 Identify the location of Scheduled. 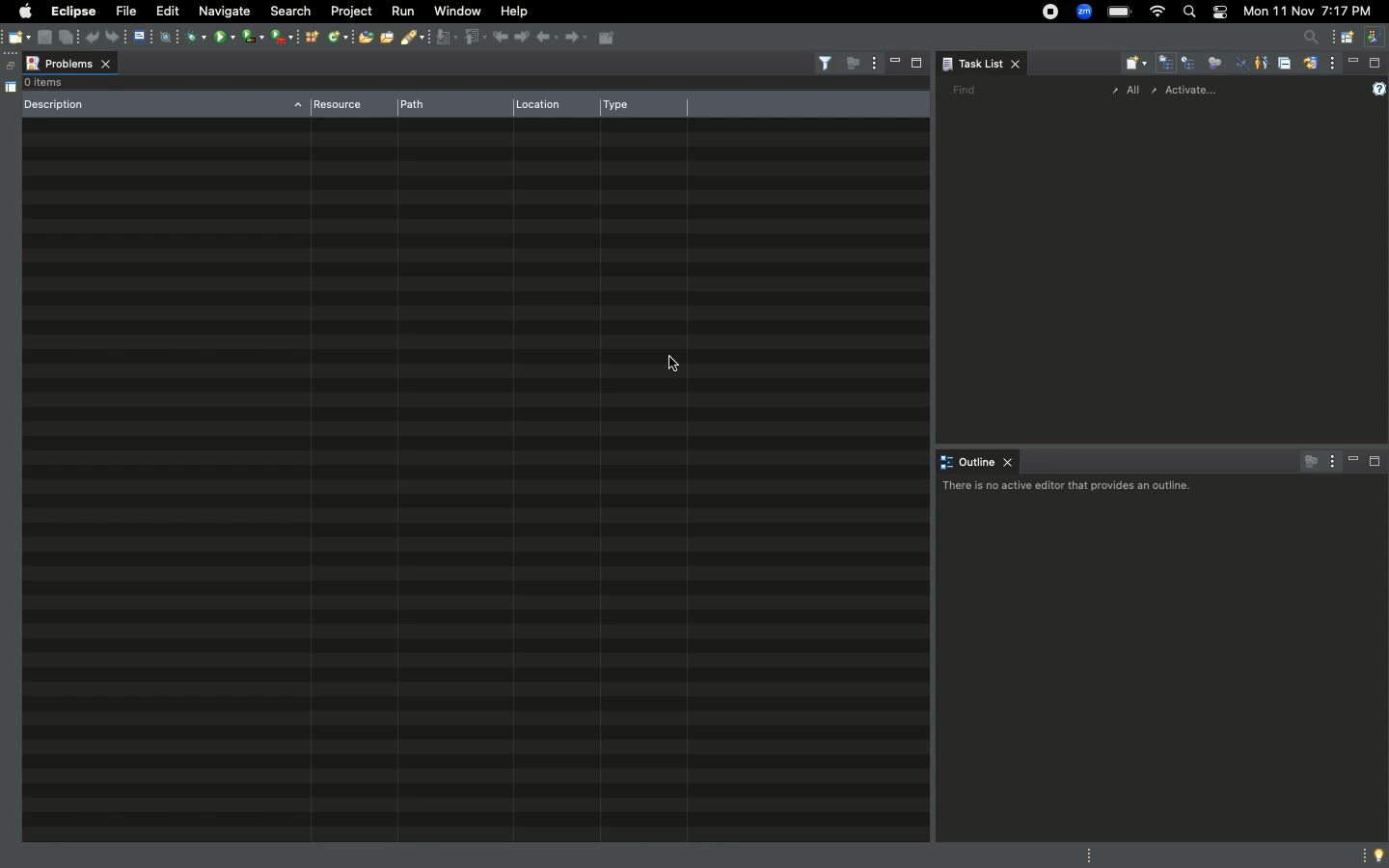
(1190, 65).